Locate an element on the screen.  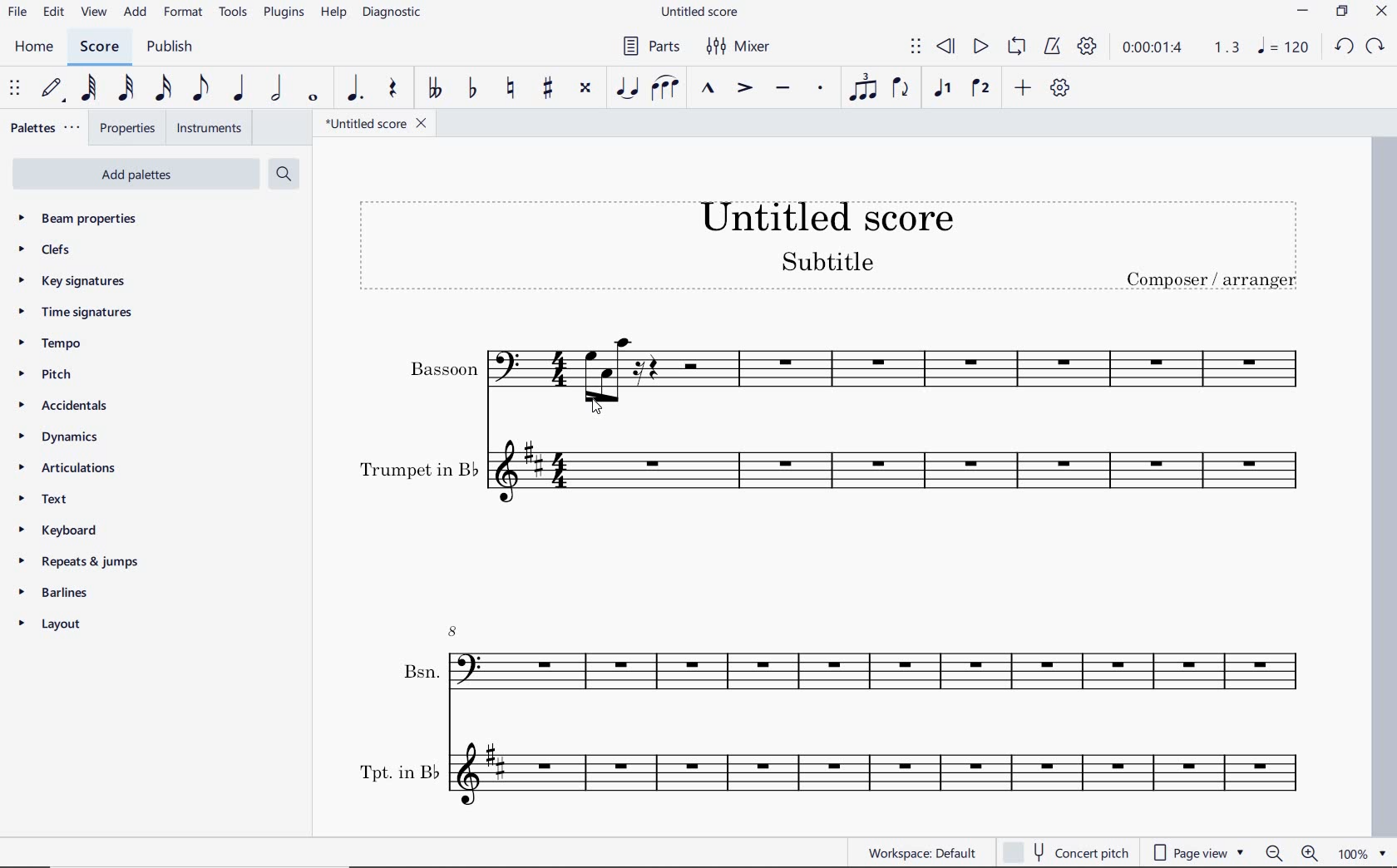
text is located at coordinates (46, 499).